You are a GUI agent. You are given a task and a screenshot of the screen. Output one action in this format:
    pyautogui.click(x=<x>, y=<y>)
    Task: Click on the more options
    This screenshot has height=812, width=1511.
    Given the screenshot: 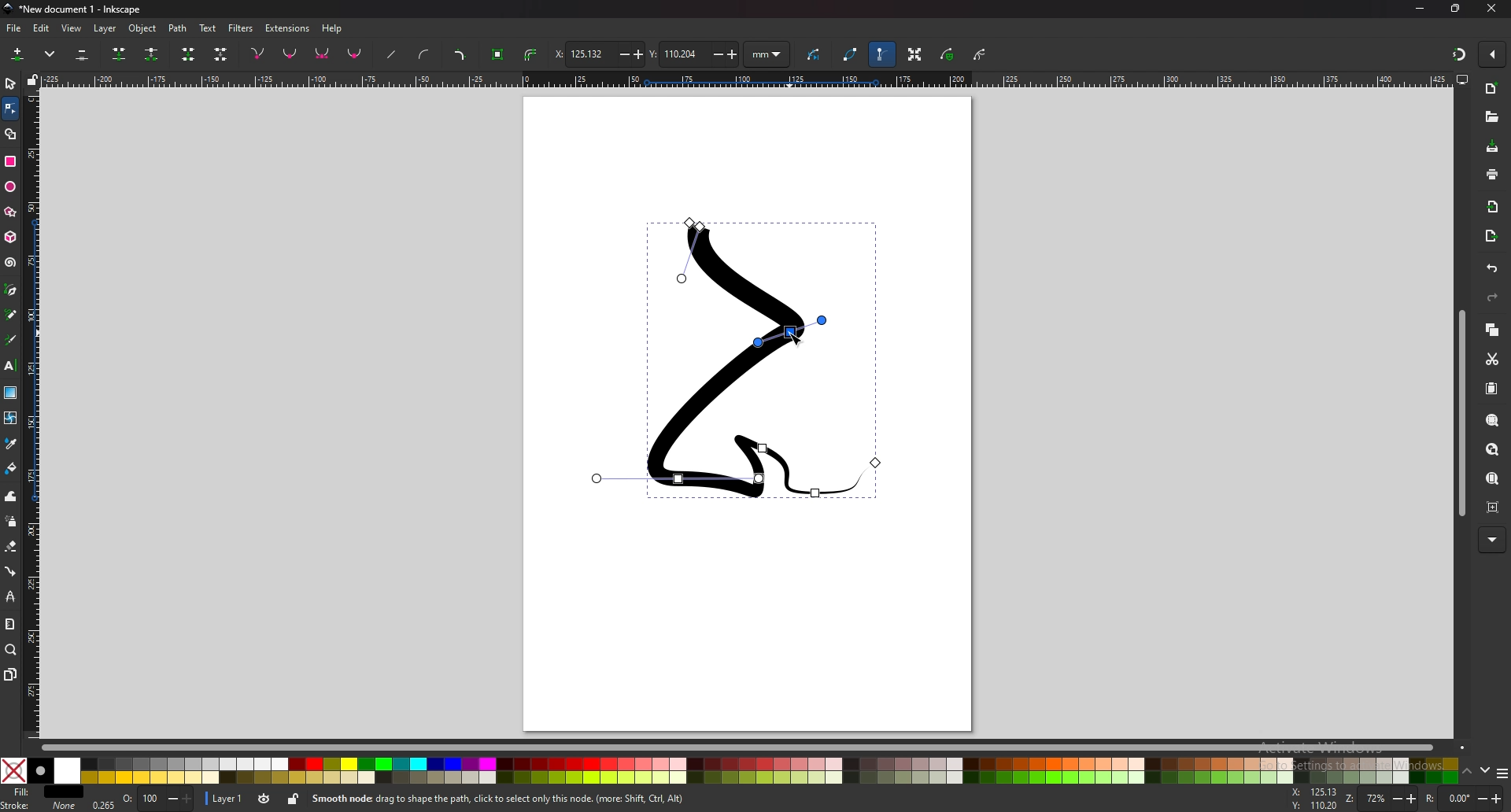 What is the action you would take?
    pyautogui.click(x=53, y=54)
    